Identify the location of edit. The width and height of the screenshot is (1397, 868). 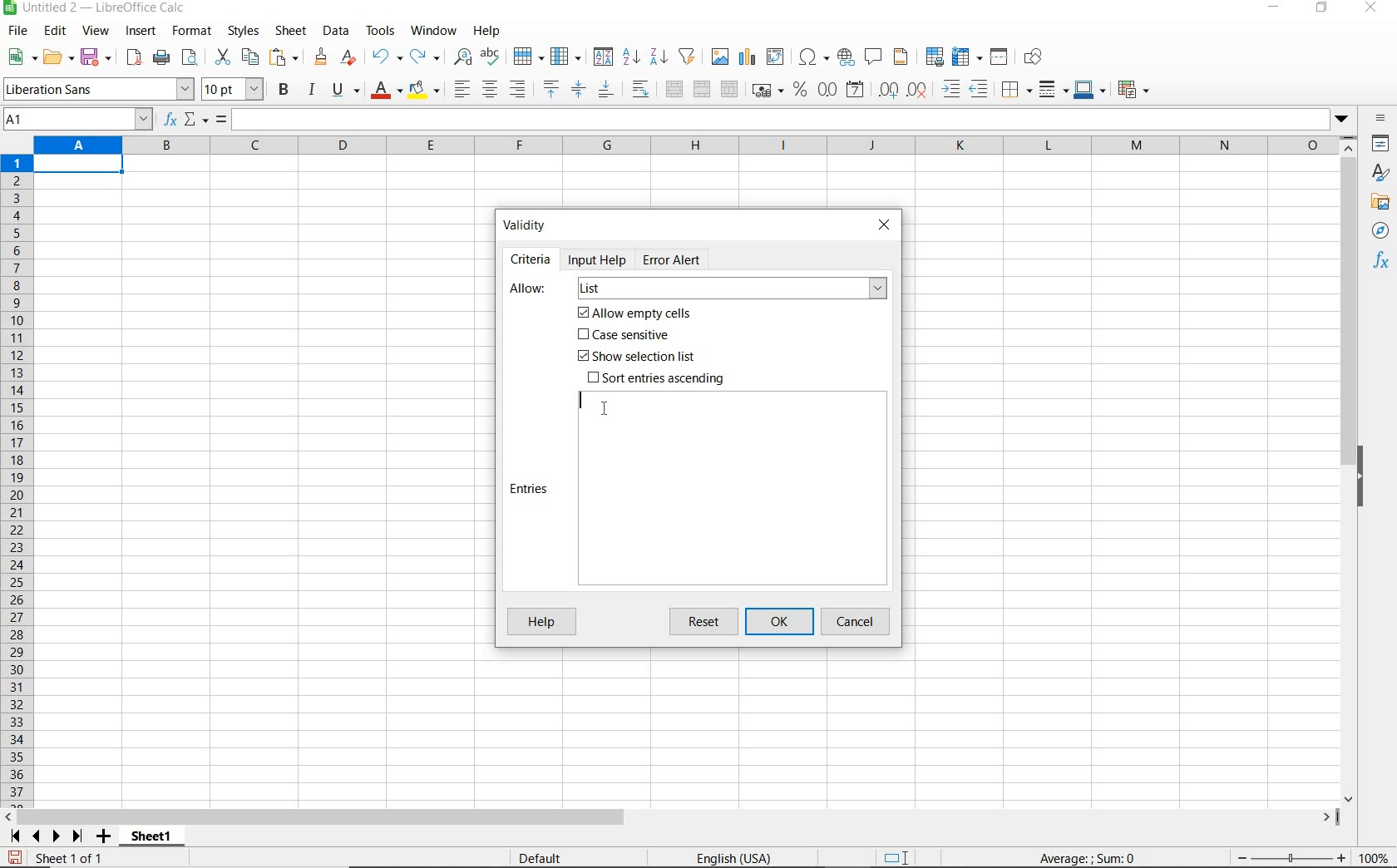
(56, 33).